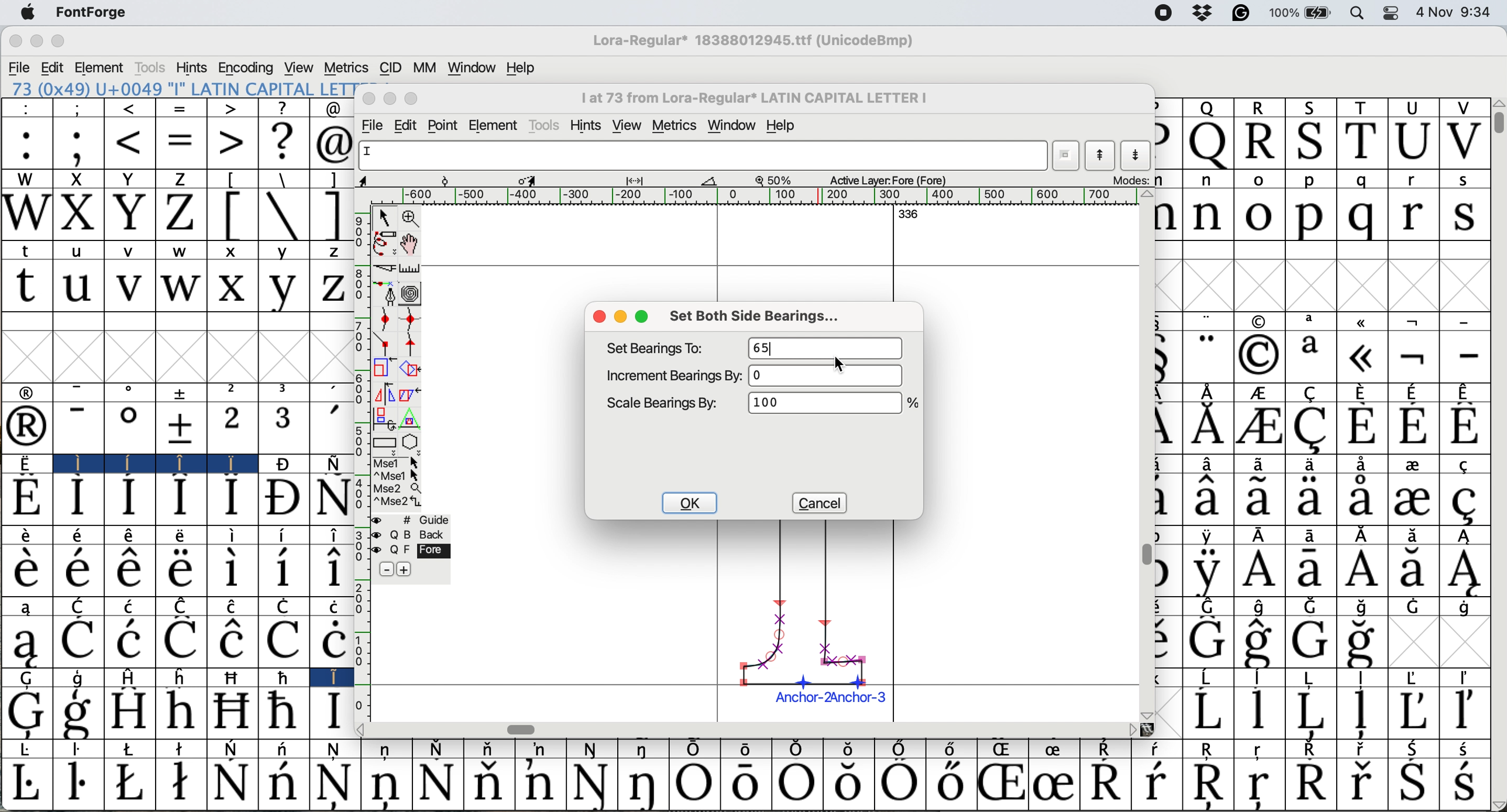 This screenshot has height=812, width=1507. Describe the element at coordinates (420, 534) in the screenshot. I see `back` at that location.